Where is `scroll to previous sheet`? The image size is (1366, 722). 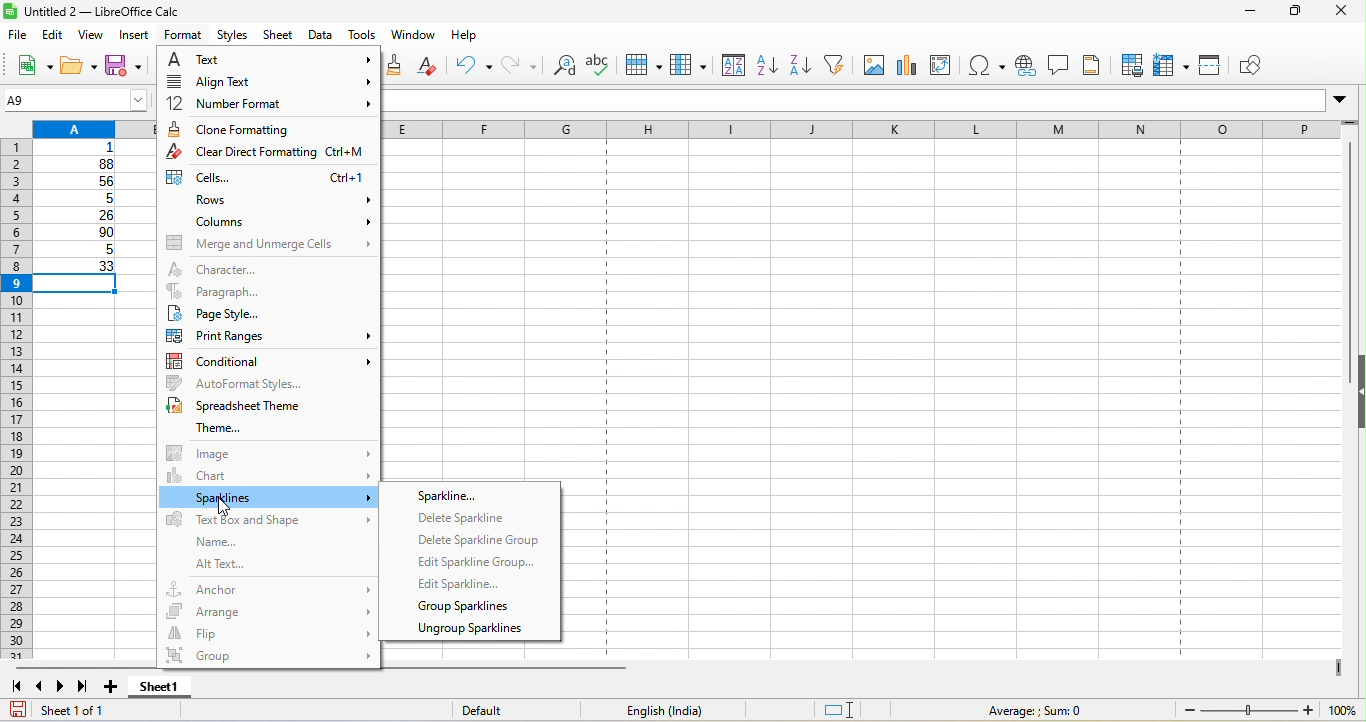
scroll to previous sheet is located at coordinates (41, 689).